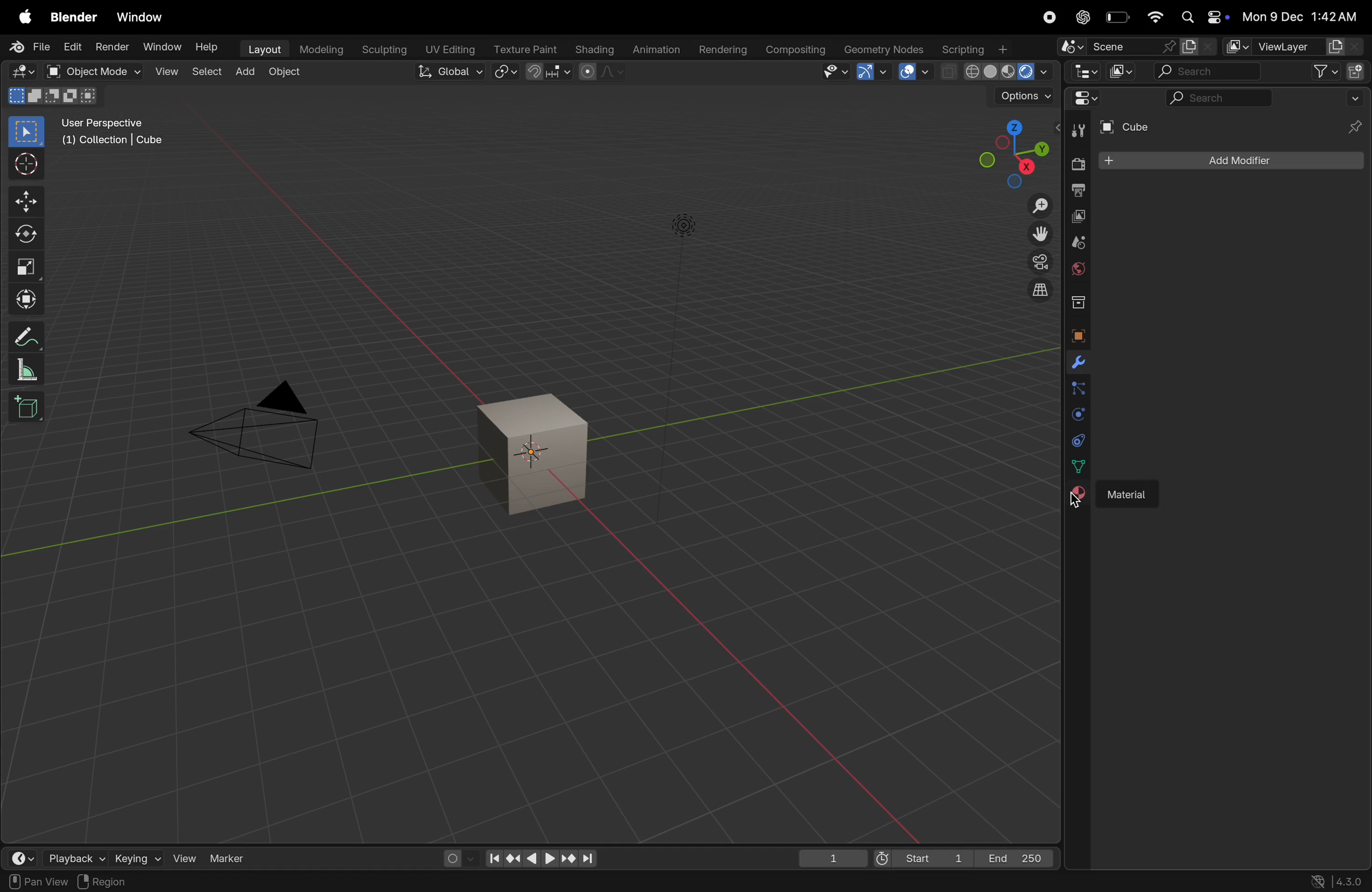 The height and width of the screenshot is (892, 1372). What do you see at coordinates (287, 74) in the screenshot?
I see `object mode` at bounding box center [287, 74].